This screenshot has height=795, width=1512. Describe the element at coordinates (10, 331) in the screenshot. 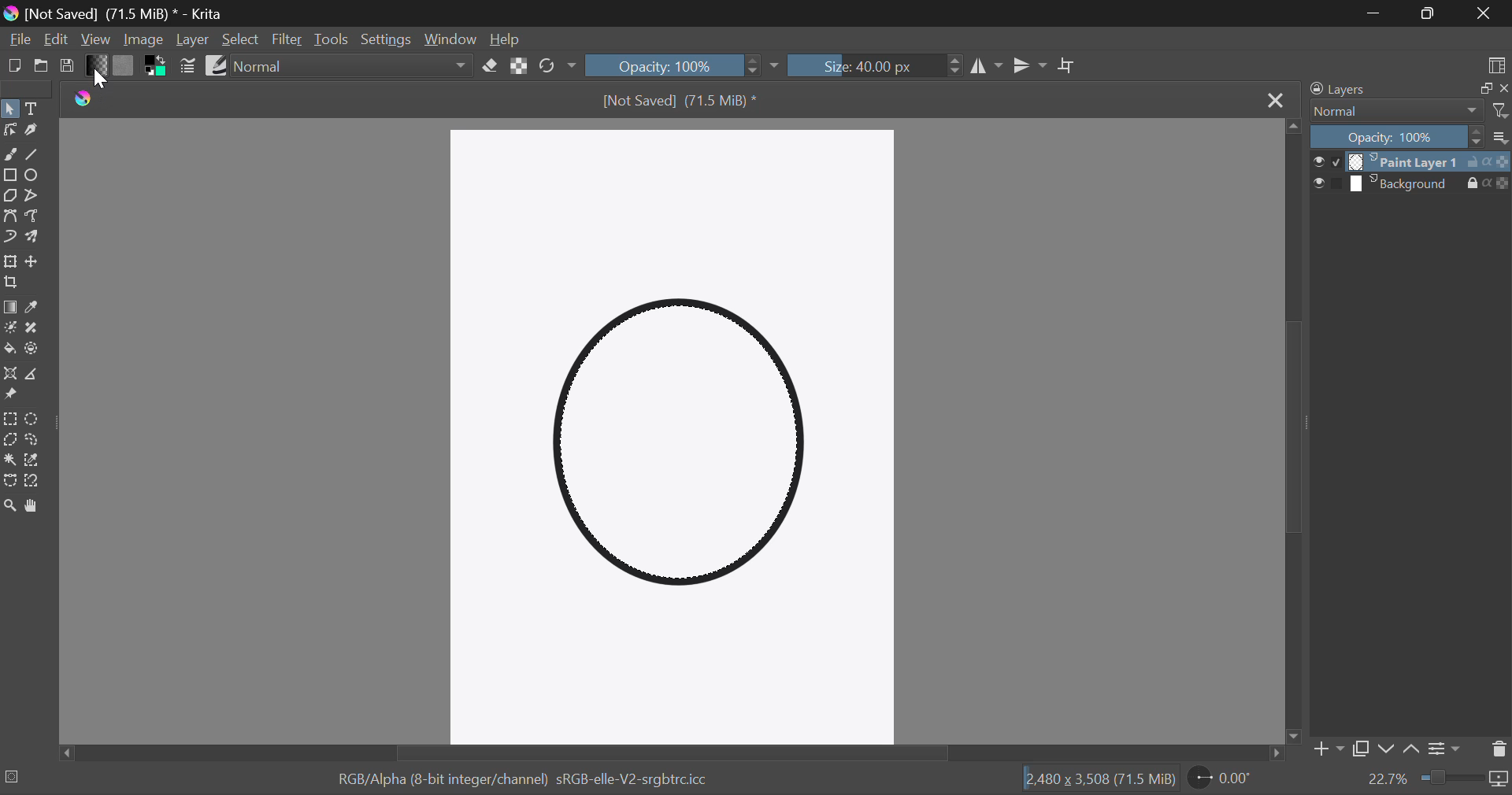

I see `Colorize Mask Tool` at that location.